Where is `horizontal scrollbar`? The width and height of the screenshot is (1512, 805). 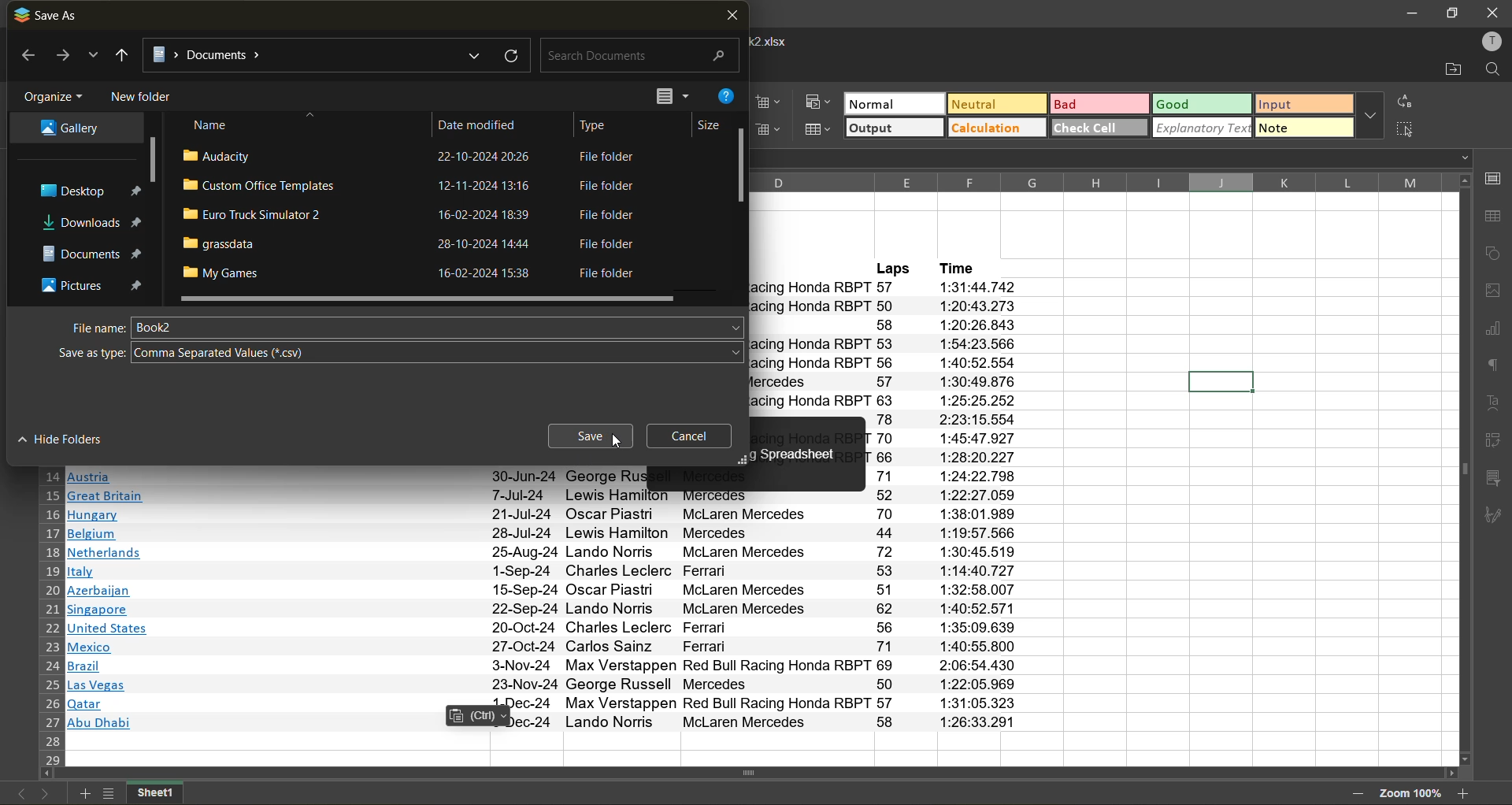
horizontal scrollbar is located at coordinates (747, 773).